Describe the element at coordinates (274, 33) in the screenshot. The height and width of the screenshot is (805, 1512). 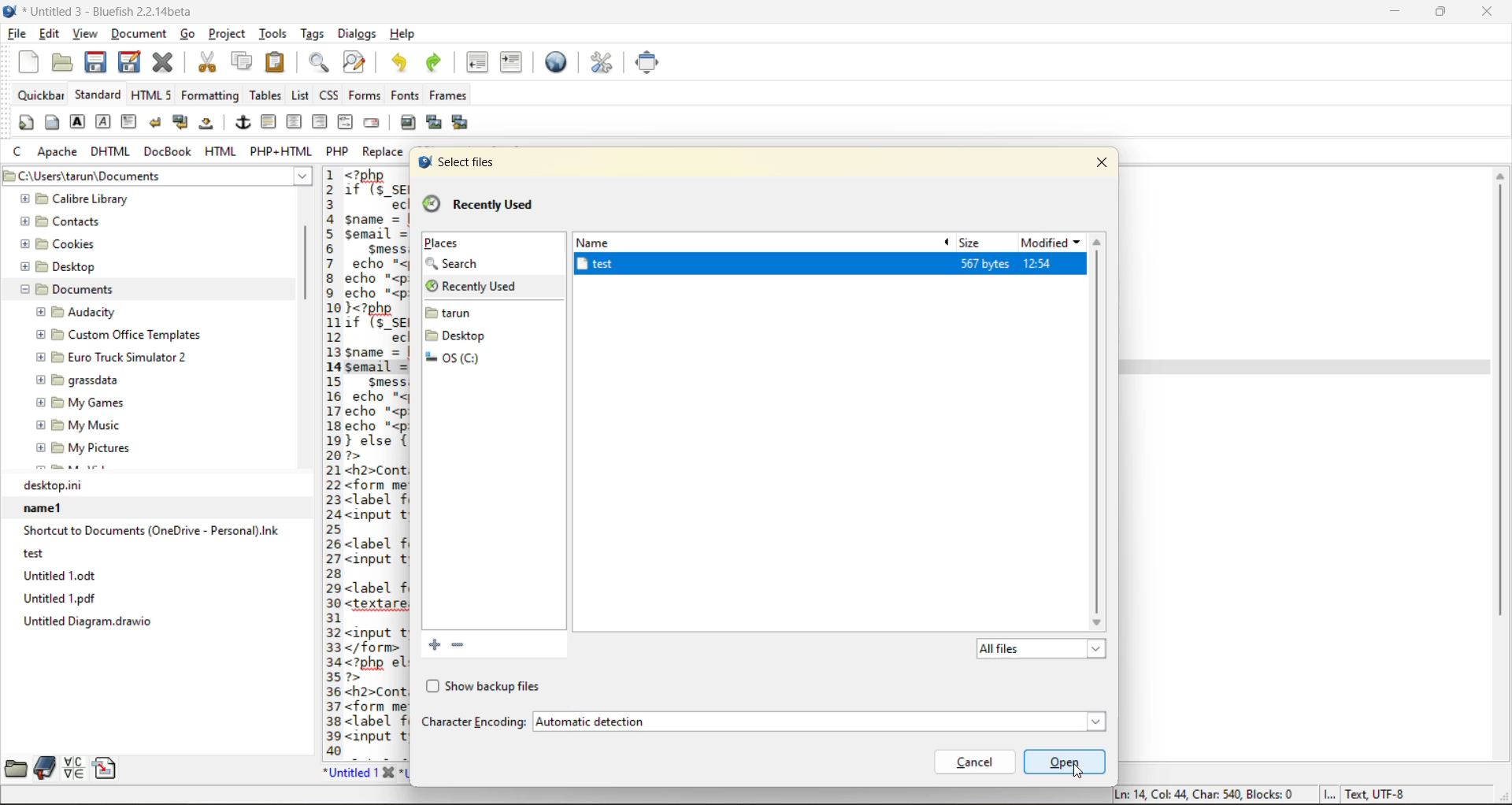
I see `tools` at that location.